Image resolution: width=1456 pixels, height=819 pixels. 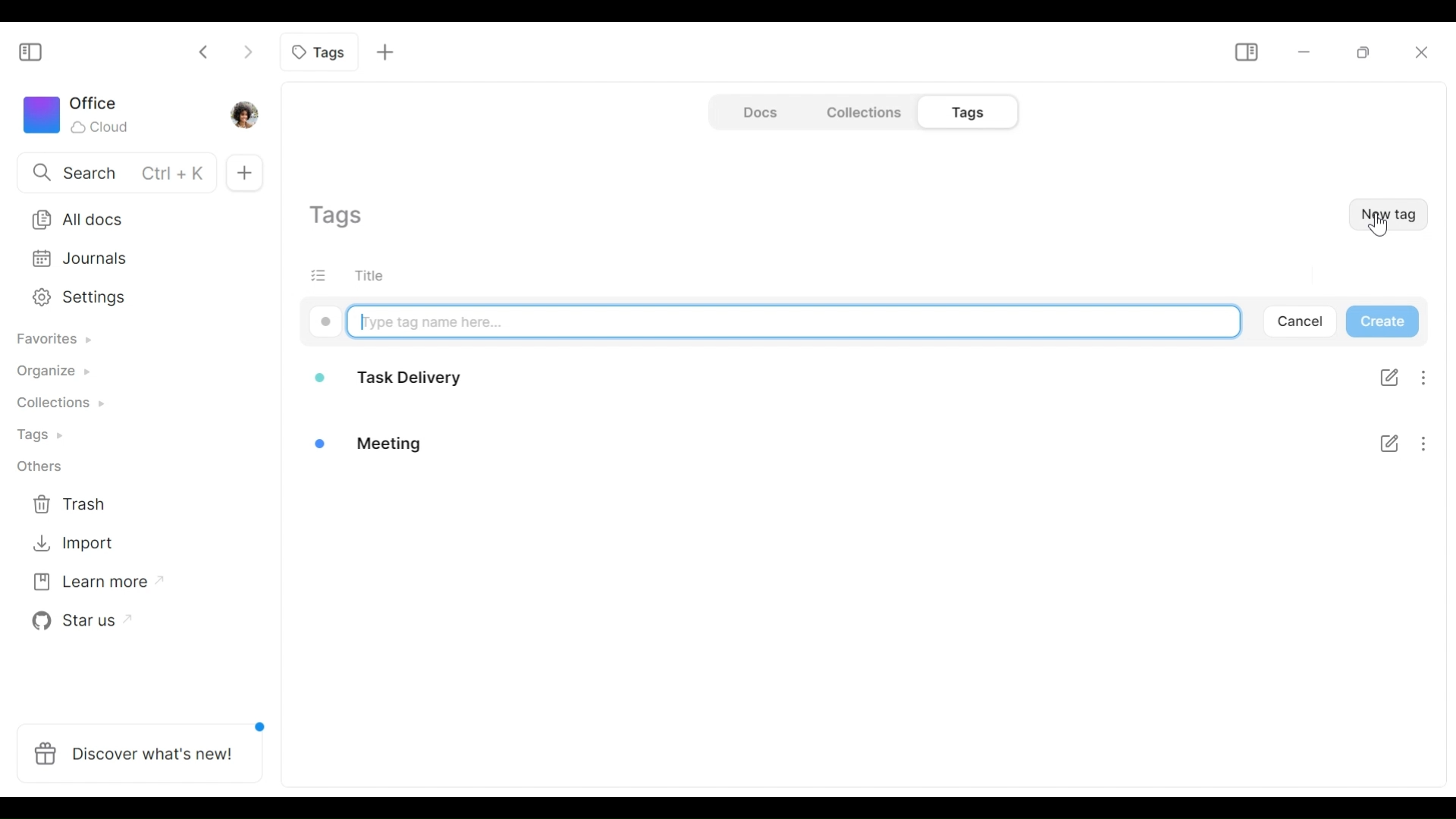 What do you see at coordinates (397, 439) in the screenshot?
I see `Meeting` at bounding box center [397, 439].